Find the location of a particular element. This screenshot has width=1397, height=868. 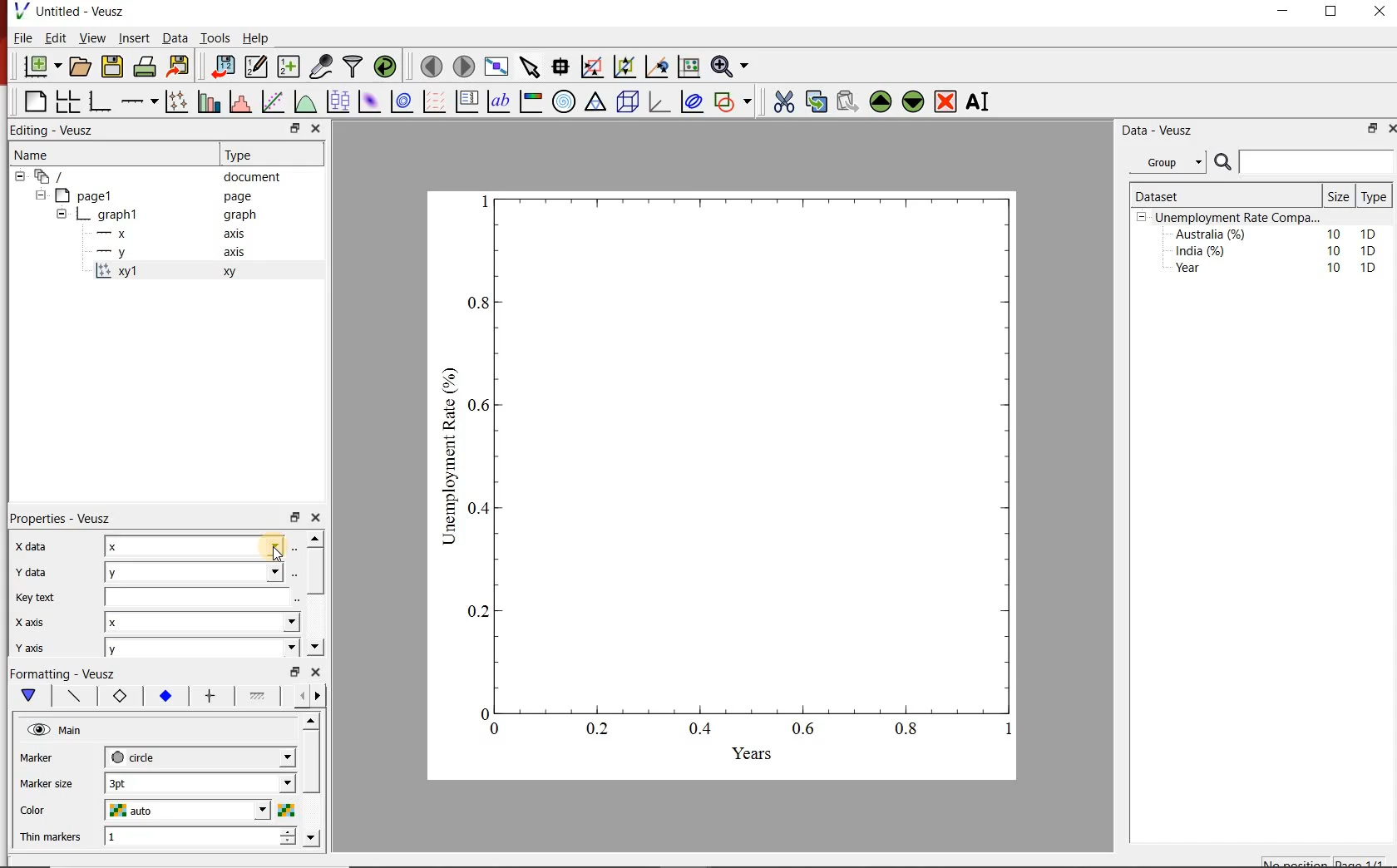

x is located at coordinates (197, 545).